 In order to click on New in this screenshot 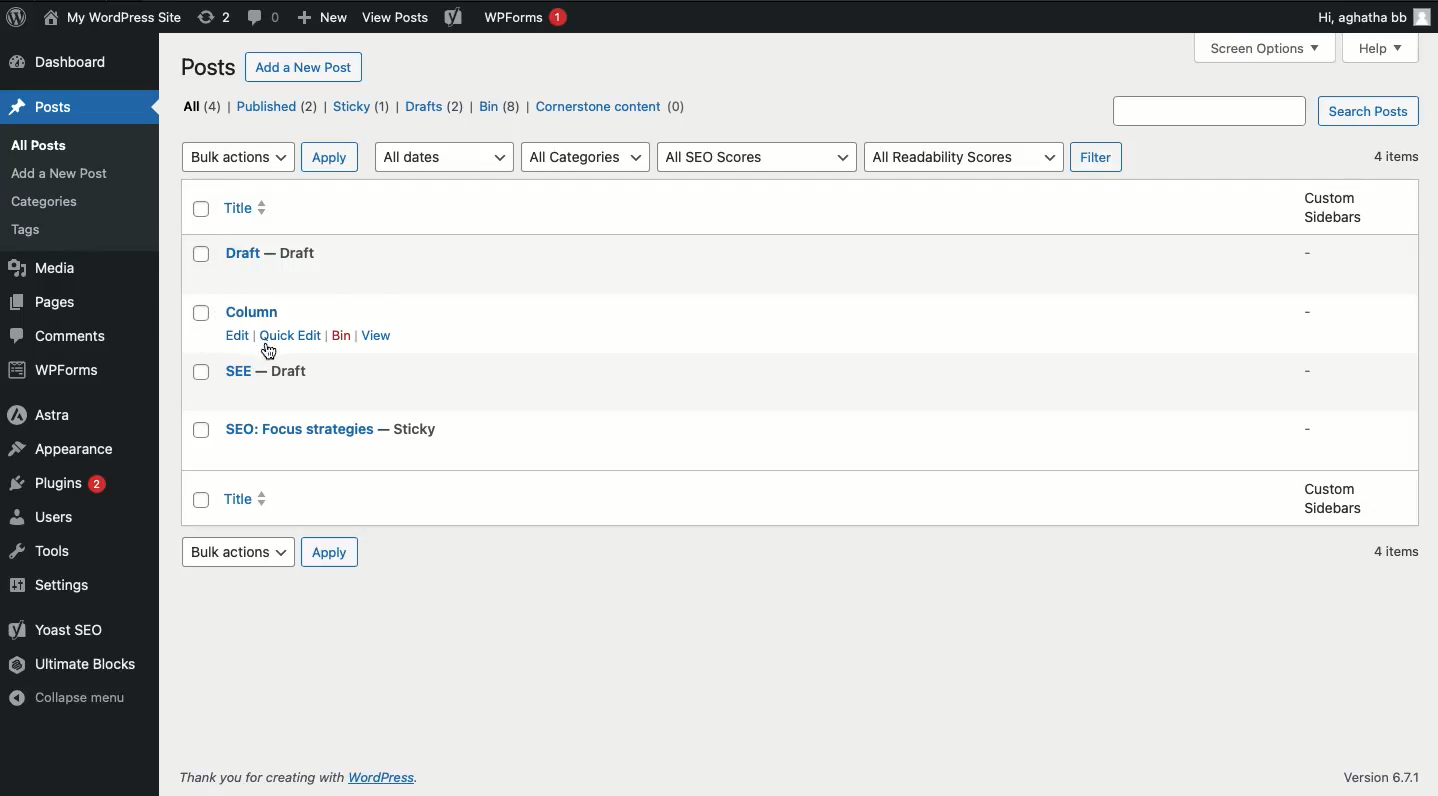, I will do `click(325, 17)`.